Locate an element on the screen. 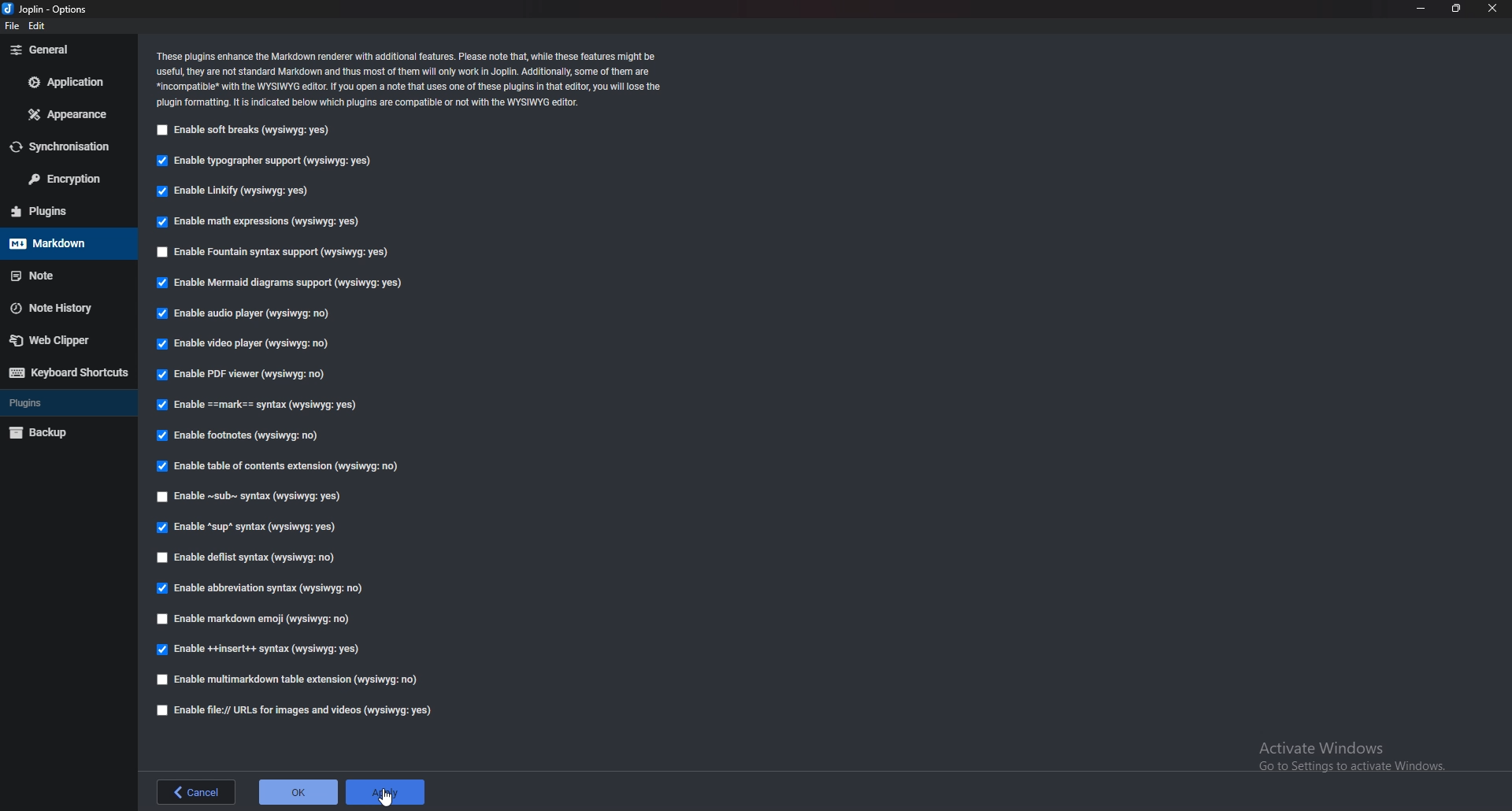  info is located at coordinates (412, 79).